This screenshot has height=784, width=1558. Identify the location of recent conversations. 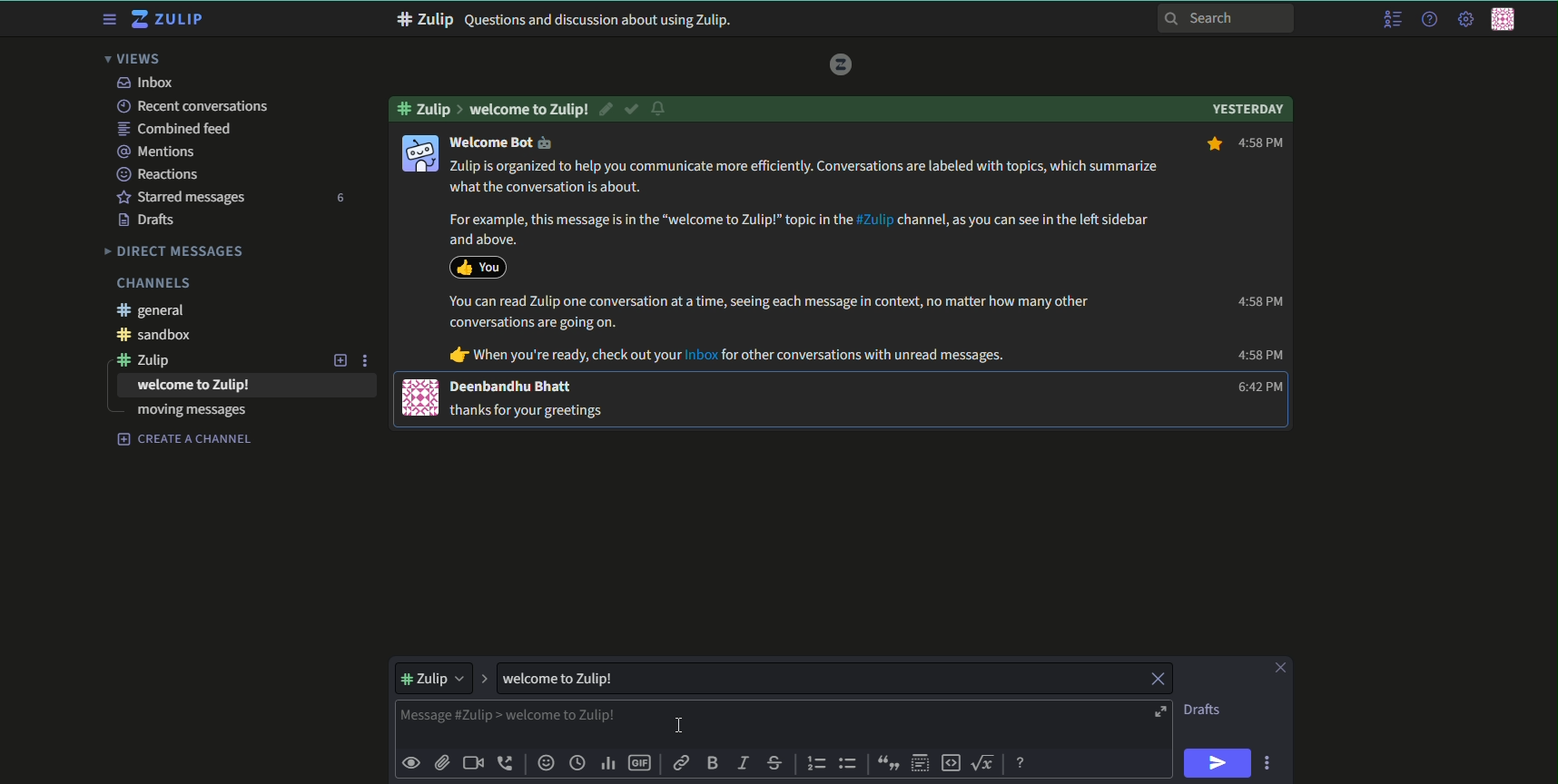
(192, 106).